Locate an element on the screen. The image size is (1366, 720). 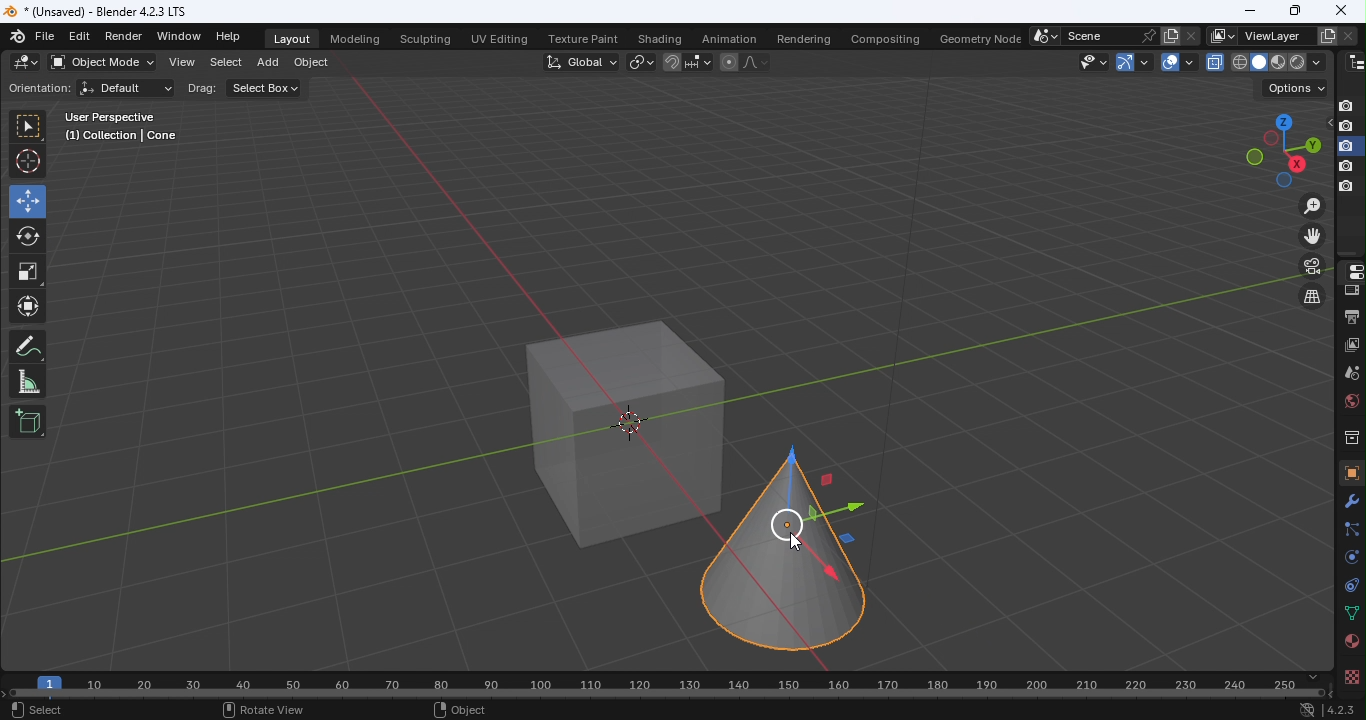
texture is located at coordinates (1350, 676).